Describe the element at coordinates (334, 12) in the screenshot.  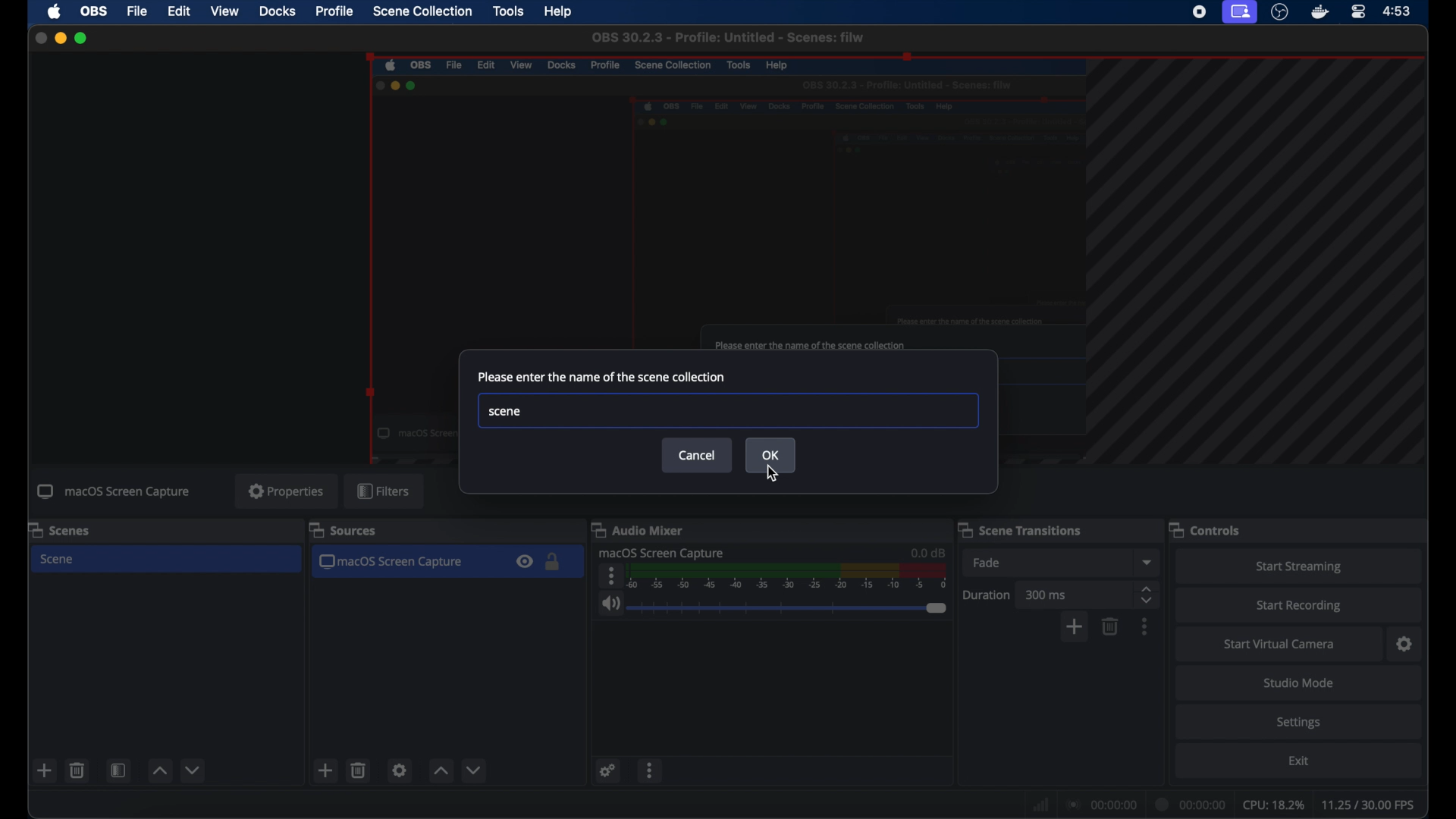
I see `profile` at that location.